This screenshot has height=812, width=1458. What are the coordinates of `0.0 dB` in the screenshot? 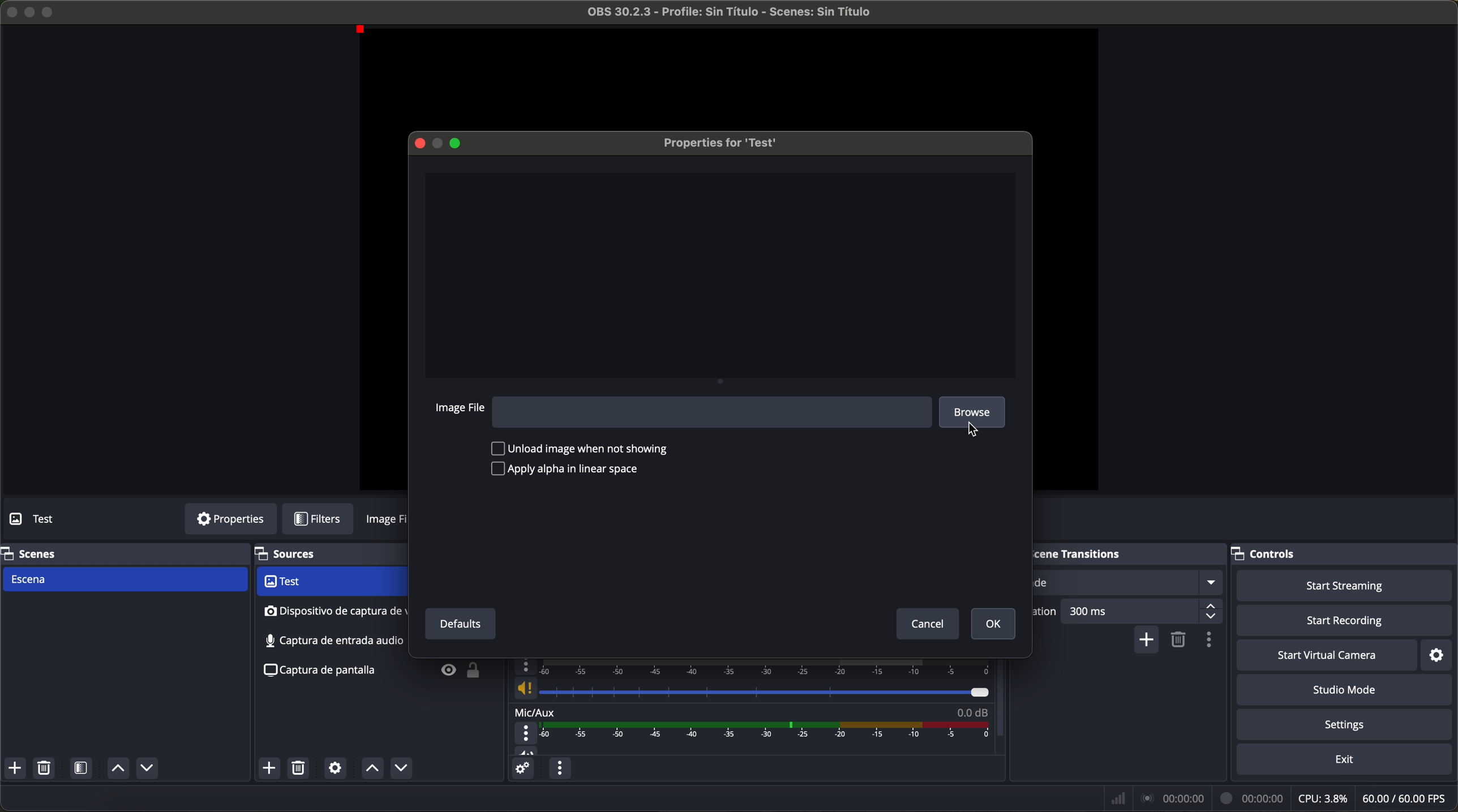 It's located at (972, 710).